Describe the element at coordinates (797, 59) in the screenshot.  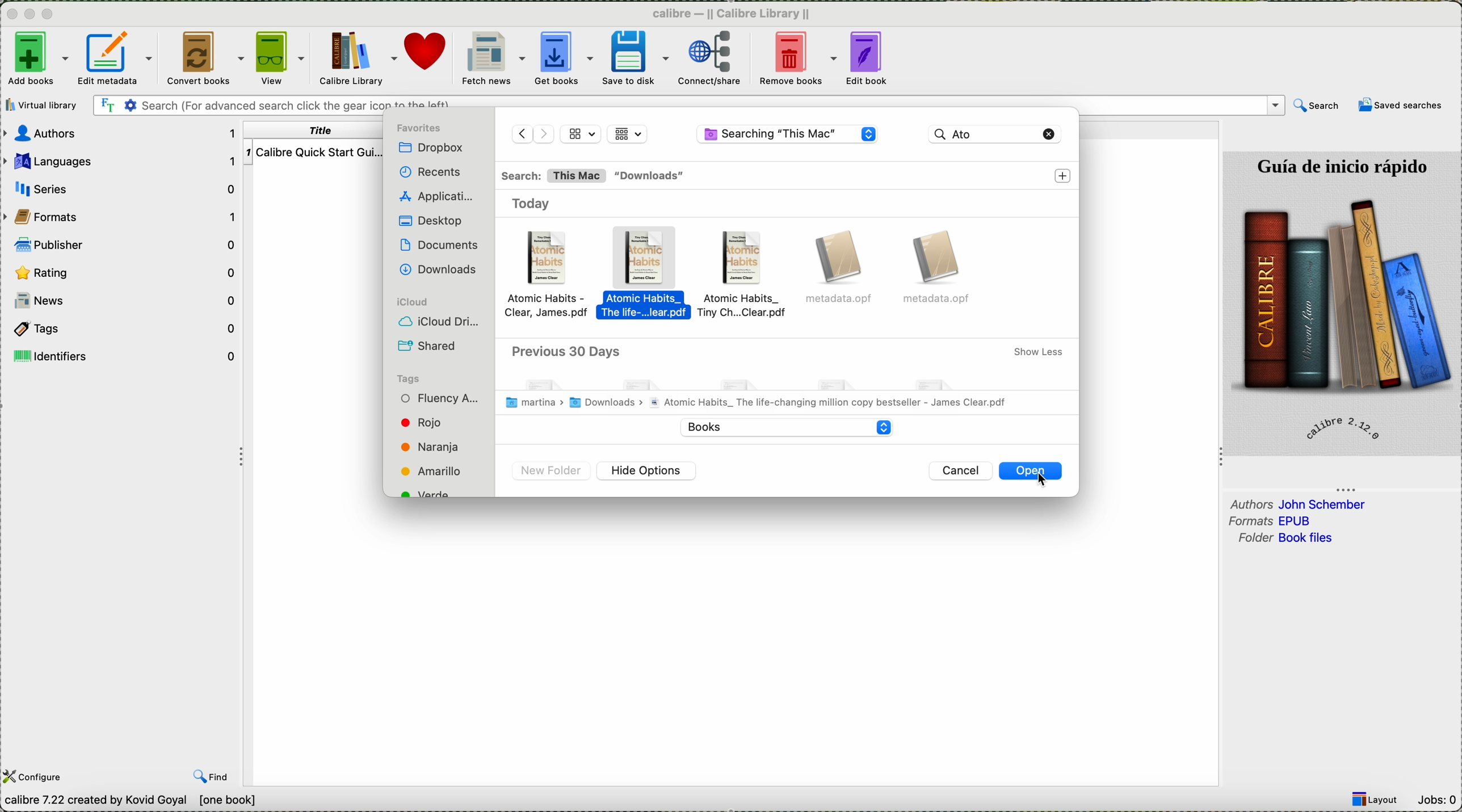
I see `remove books` at that location.